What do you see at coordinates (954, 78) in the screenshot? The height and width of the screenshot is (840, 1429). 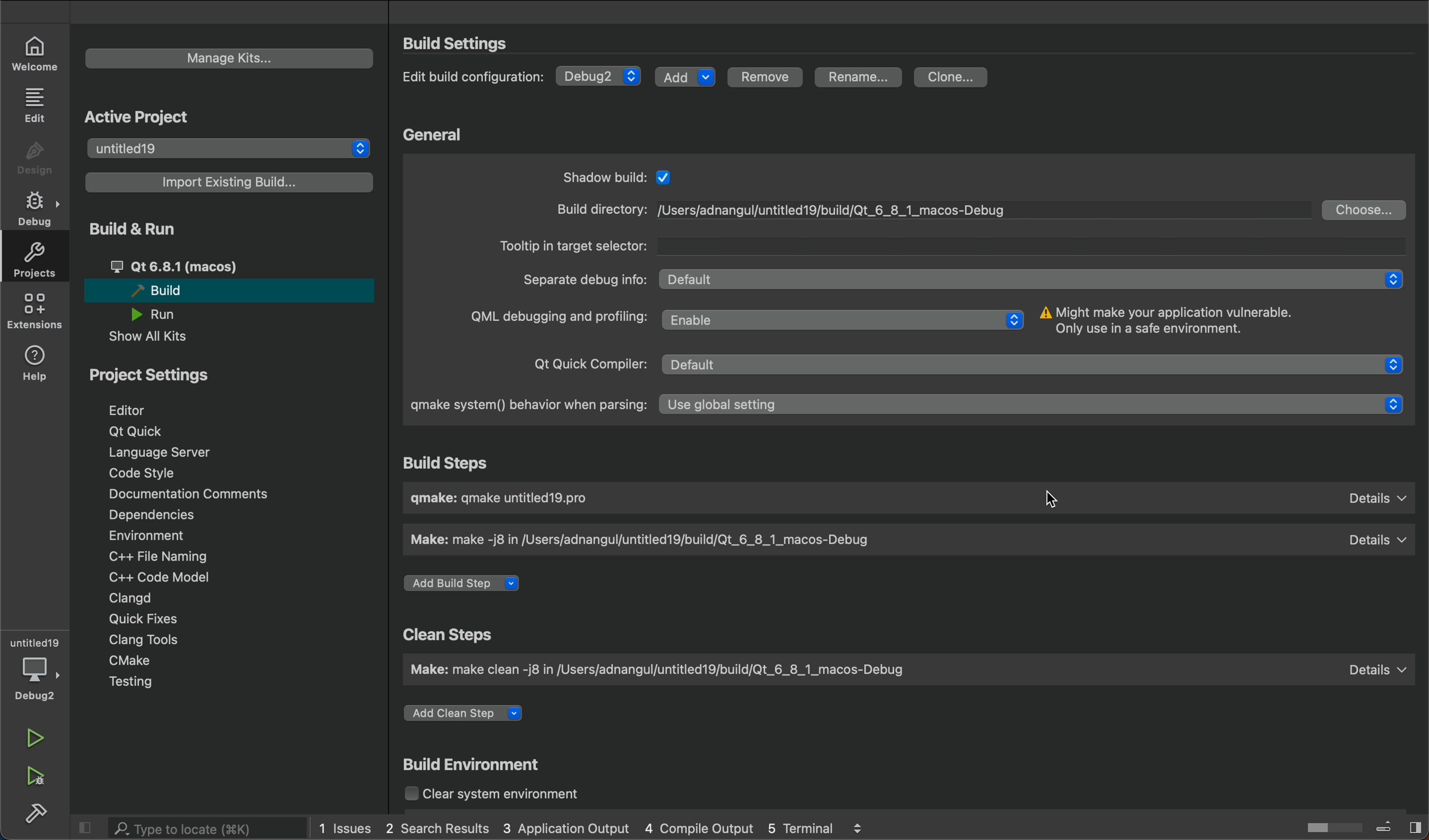 I see `clone` at bounding box center [954, 78].